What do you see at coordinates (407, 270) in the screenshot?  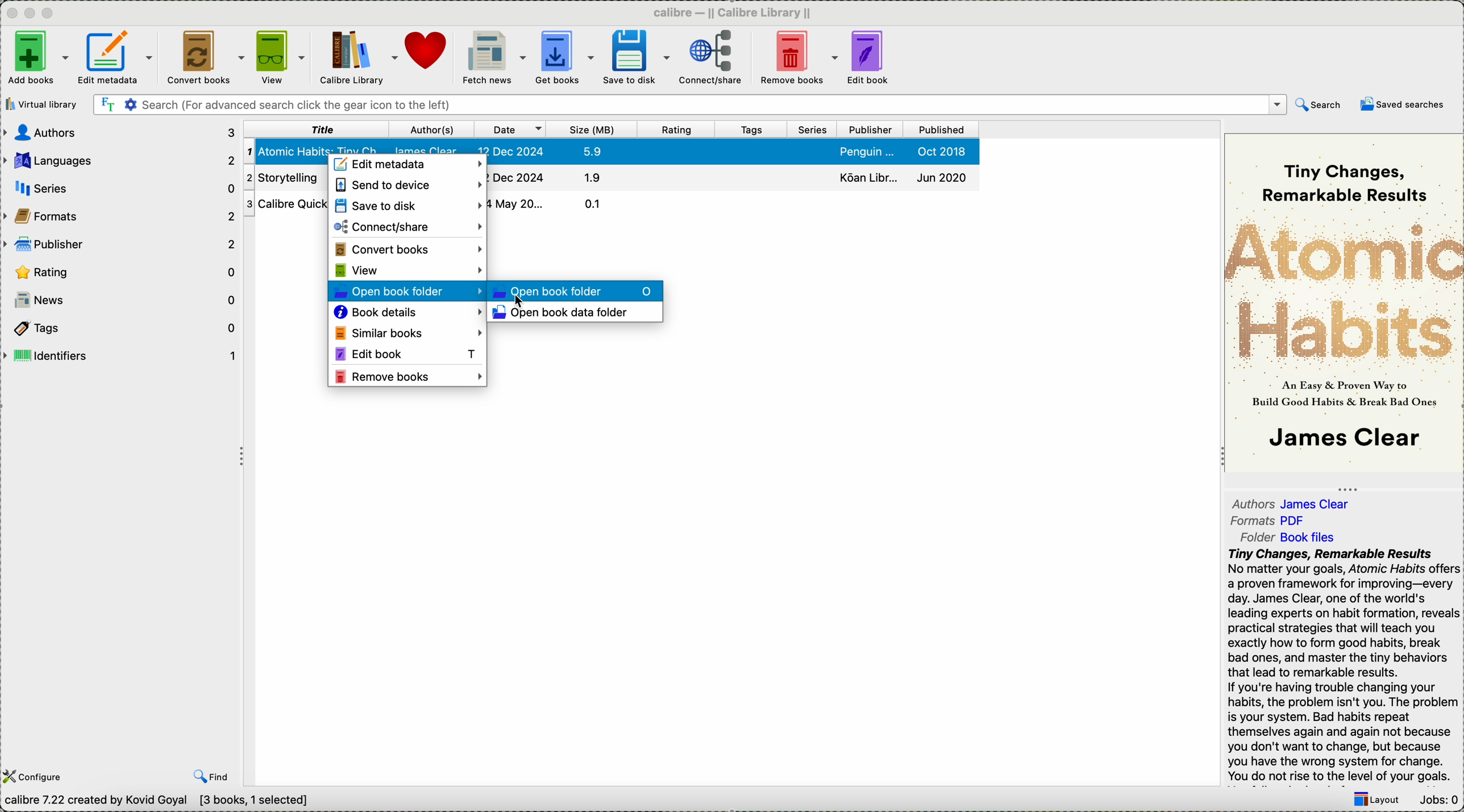 I see `view` at bounding box center [407, 270].